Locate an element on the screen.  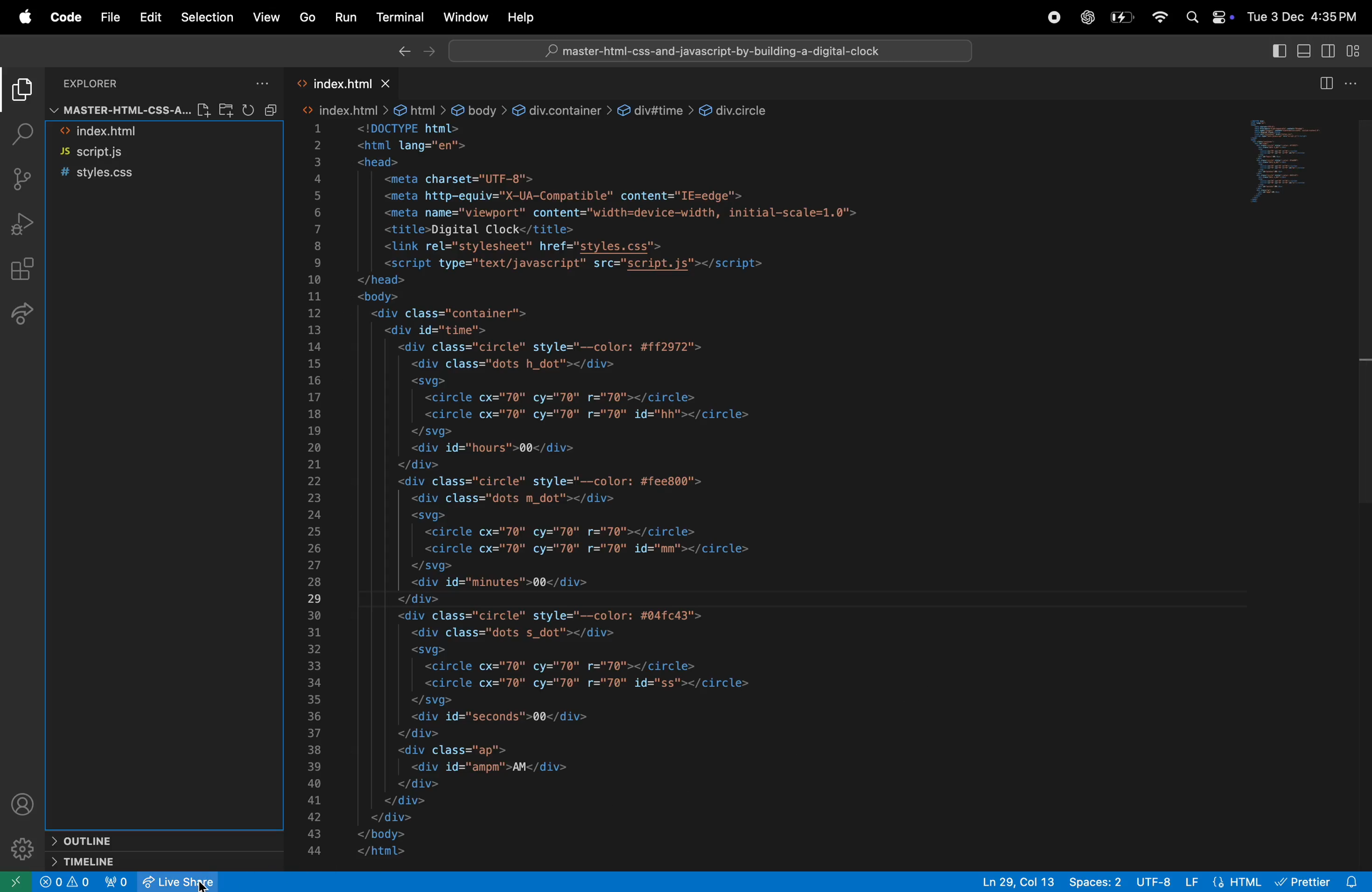
source control is located at coordinates (26, 177).